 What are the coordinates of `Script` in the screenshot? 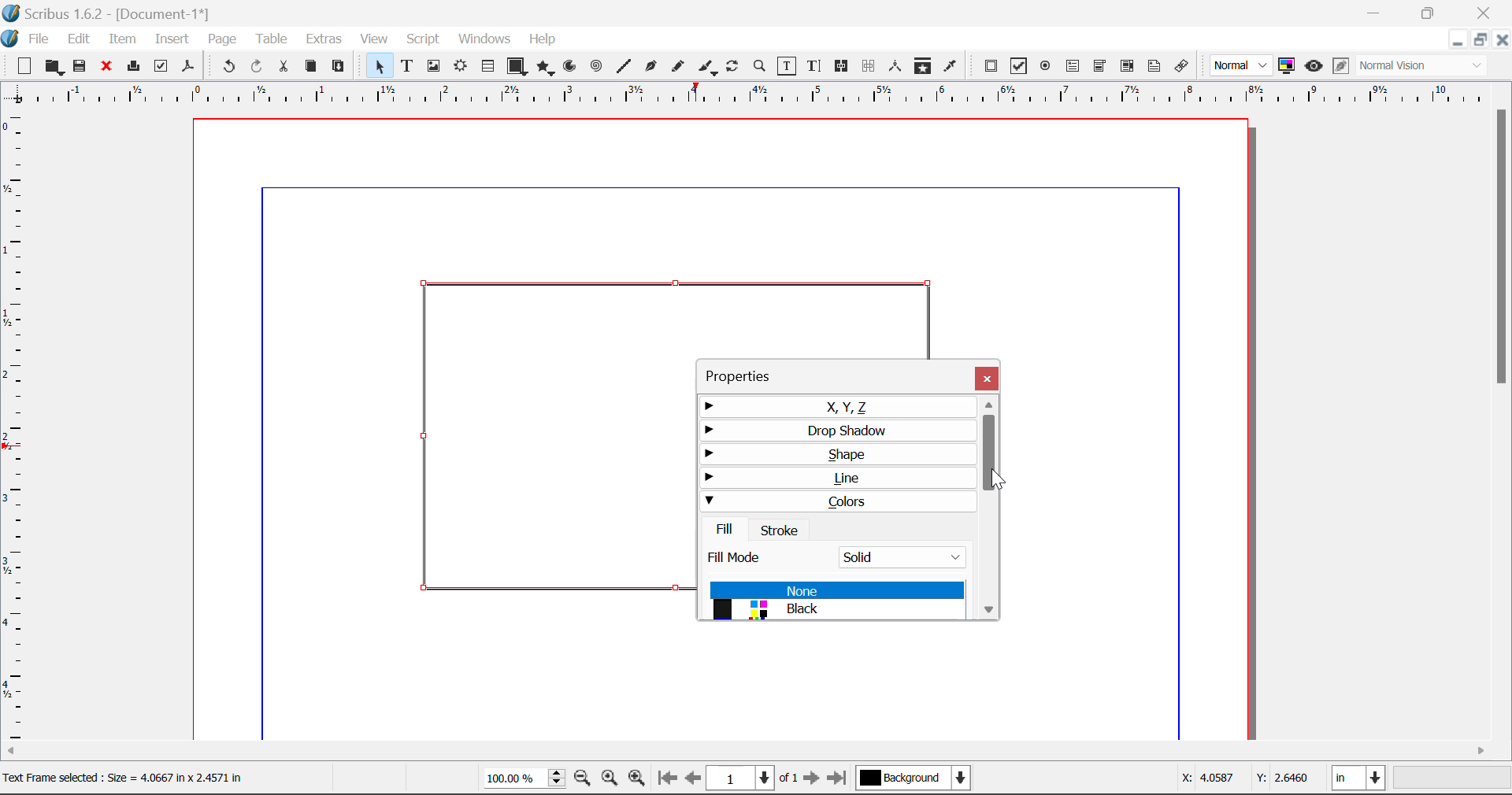 It's located at (424, 41).